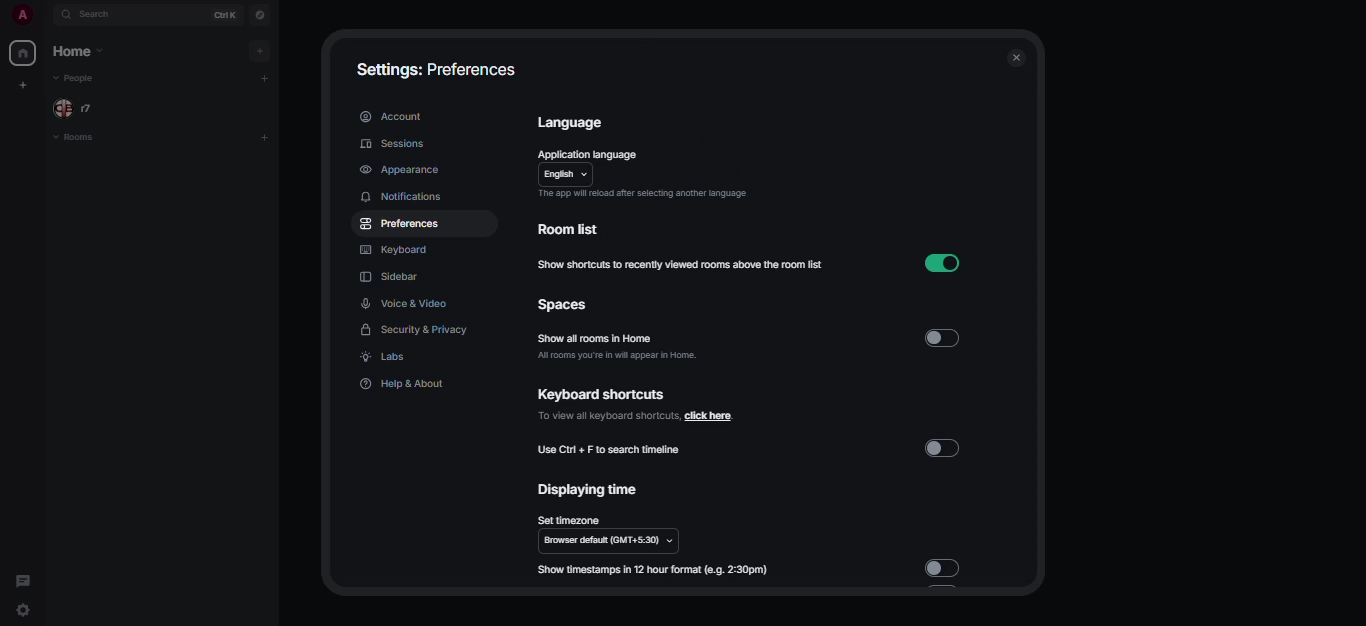 The height and width of the screenshot is (626, 1366). What do you see at coordinates (680, 265) in the screenshot?
I see `show shortcuts to recently viewed rooms above the room list` at bounding box center [680, 265].